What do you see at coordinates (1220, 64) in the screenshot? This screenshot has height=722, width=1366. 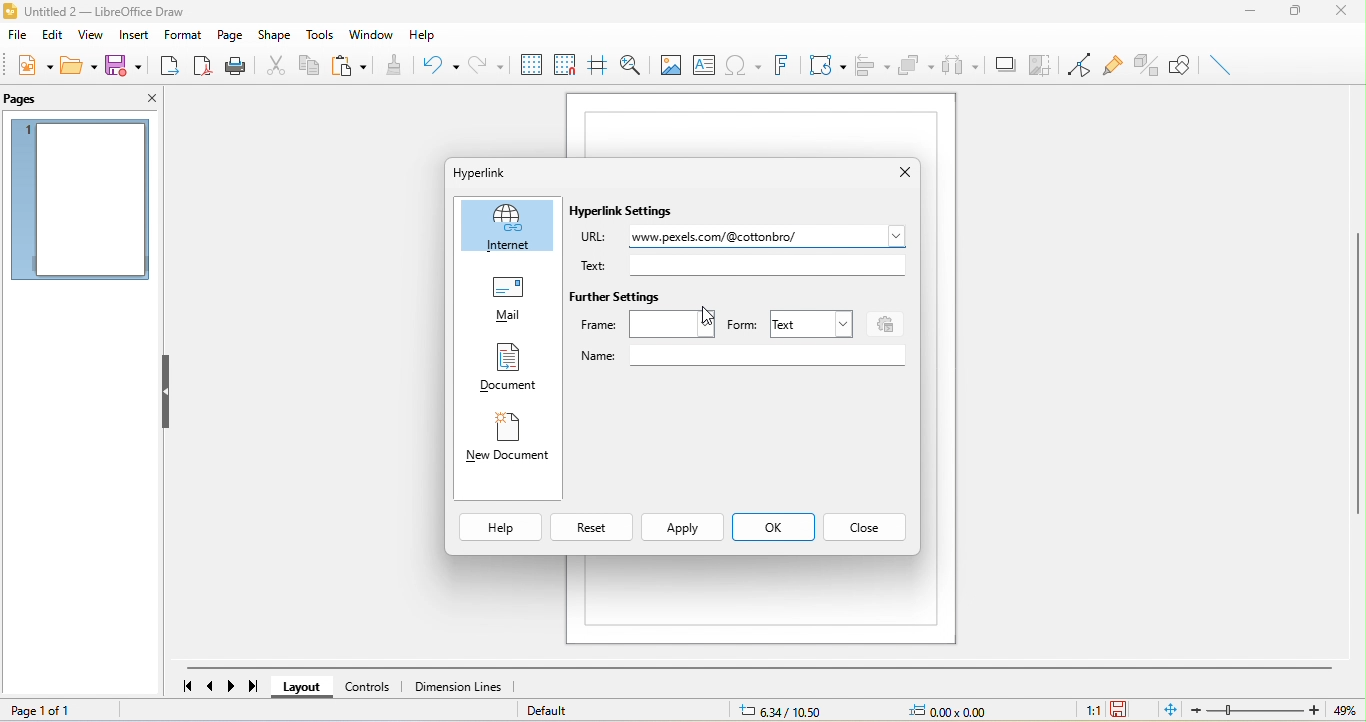 I see `insert line` at bounding box center [1220, 64].